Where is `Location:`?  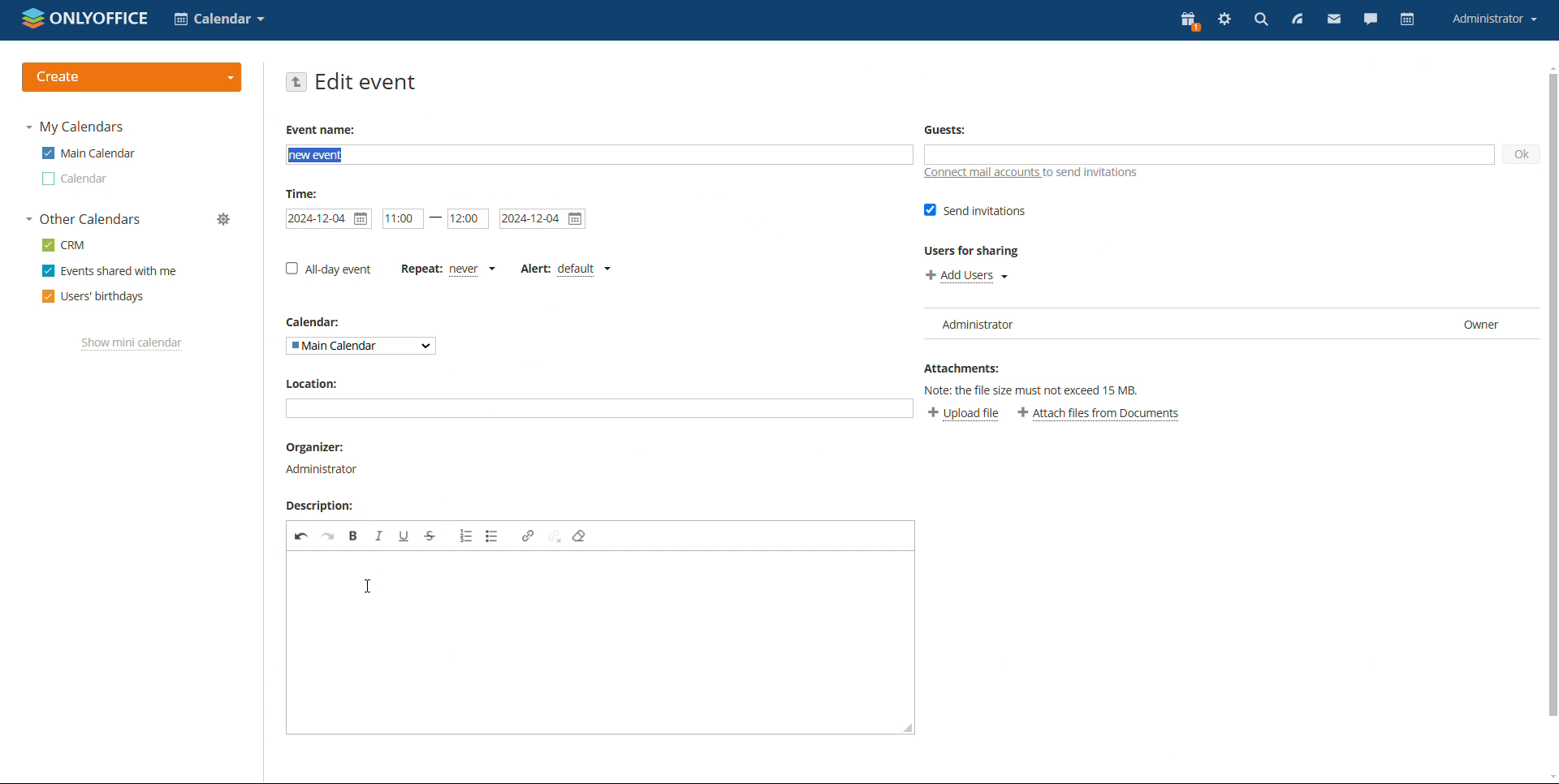
Location: is located at coordinates (315, 382).